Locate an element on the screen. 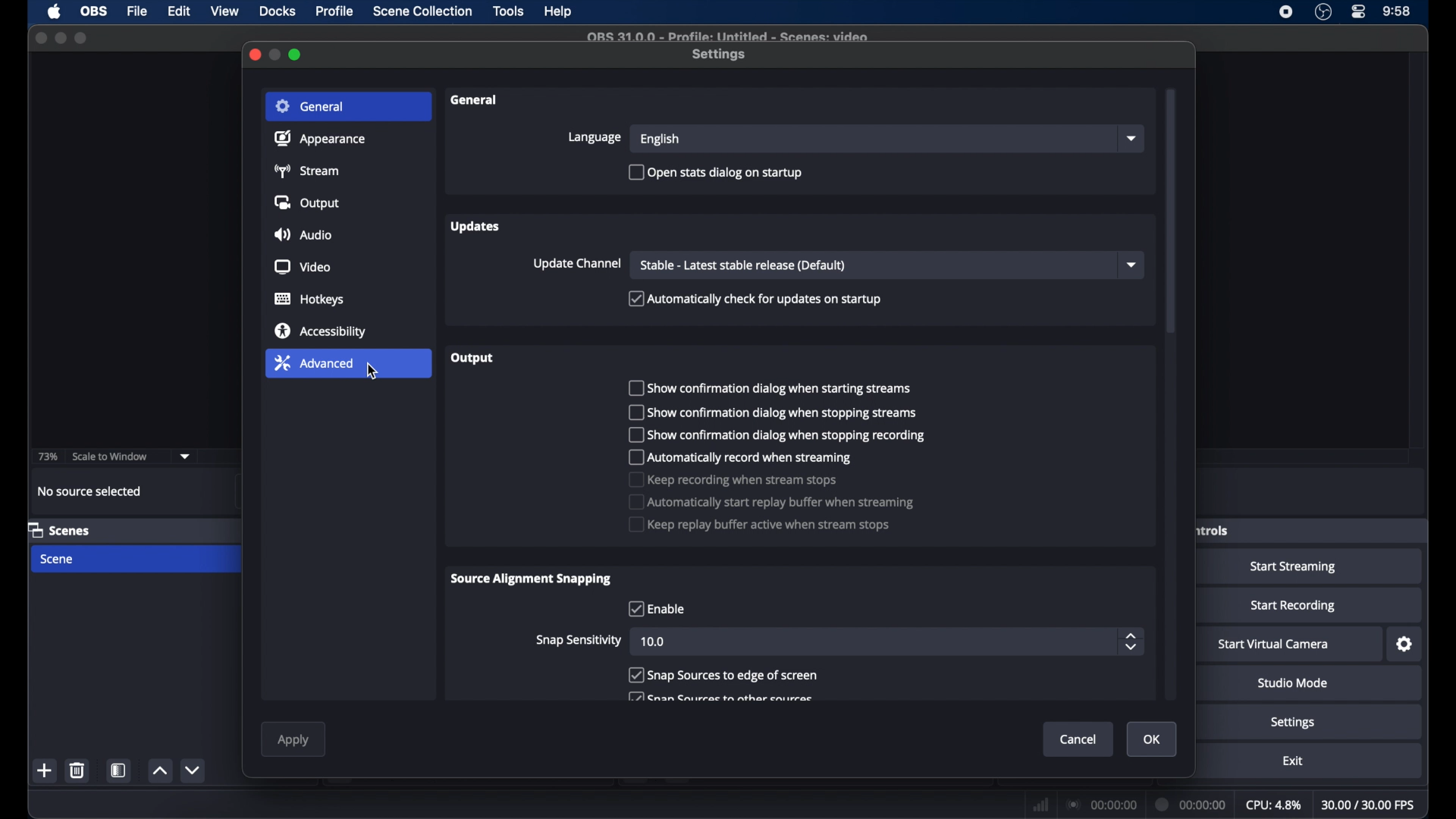 The height and width of the screenshot is (819, 1456). duration is located at coordinates (1191, 805).